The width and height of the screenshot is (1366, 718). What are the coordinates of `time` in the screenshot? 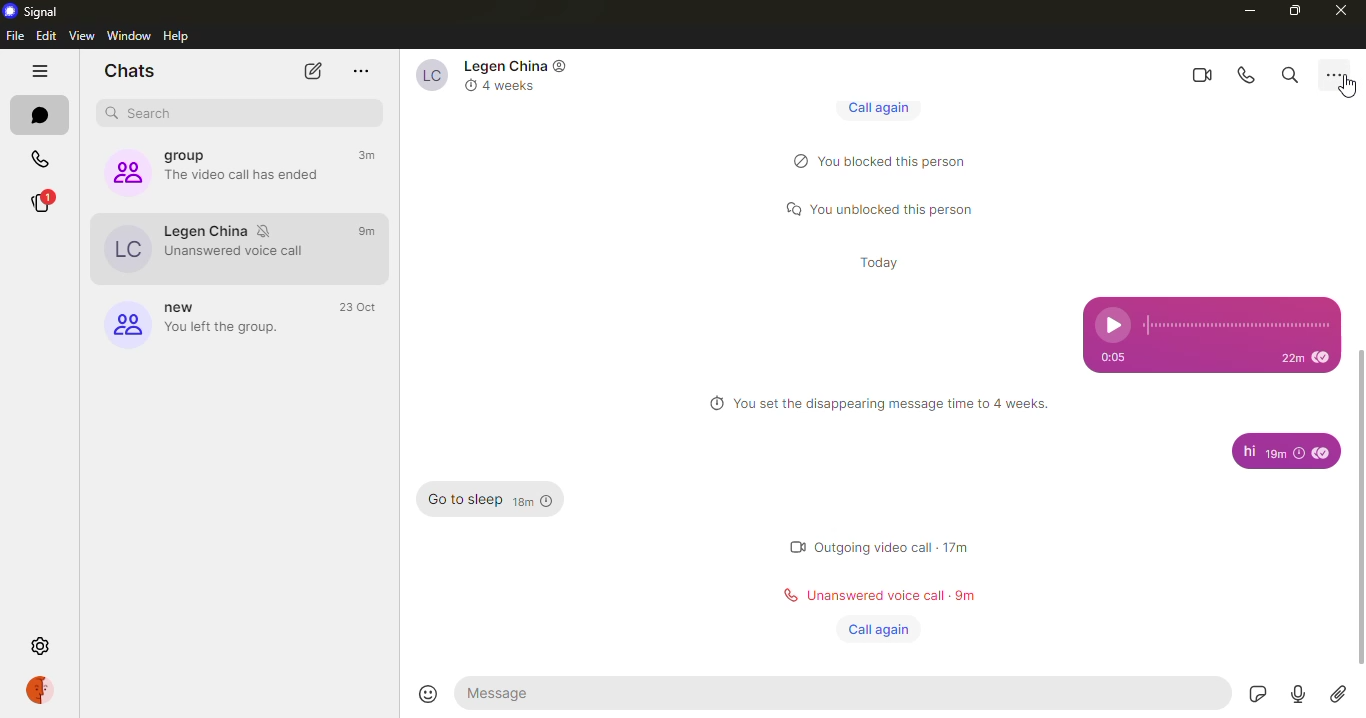 It's located at (1304, 357).